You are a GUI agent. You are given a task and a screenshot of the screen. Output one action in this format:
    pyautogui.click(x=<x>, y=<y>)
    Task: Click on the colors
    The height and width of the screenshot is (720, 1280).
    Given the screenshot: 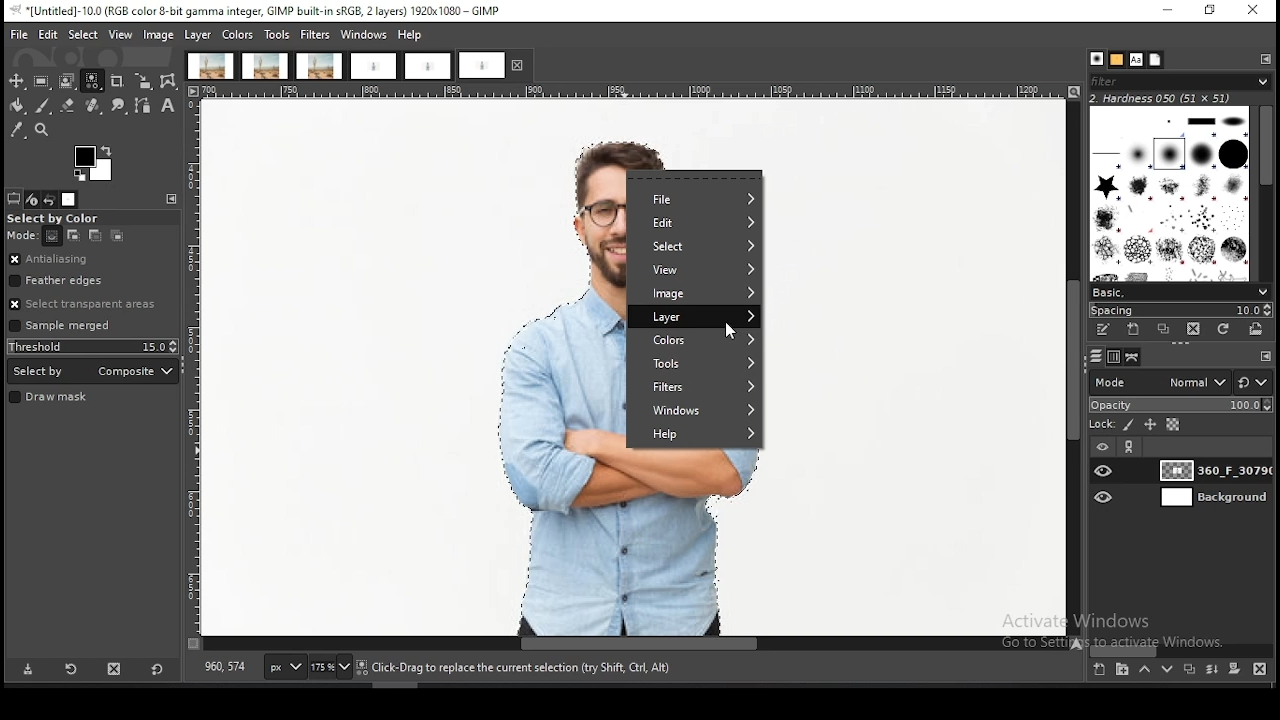 What is the action you would take?
    pyautogui.click(x=237, y=35)
    